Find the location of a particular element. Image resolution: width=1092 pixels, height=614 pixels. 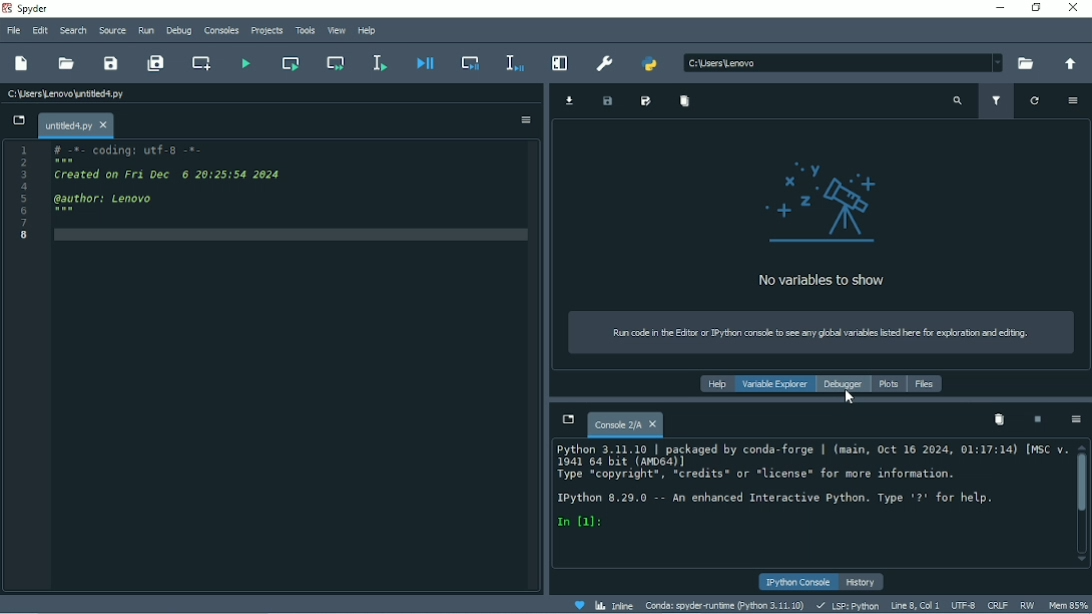

Open file is located at coordinates (68, 63).